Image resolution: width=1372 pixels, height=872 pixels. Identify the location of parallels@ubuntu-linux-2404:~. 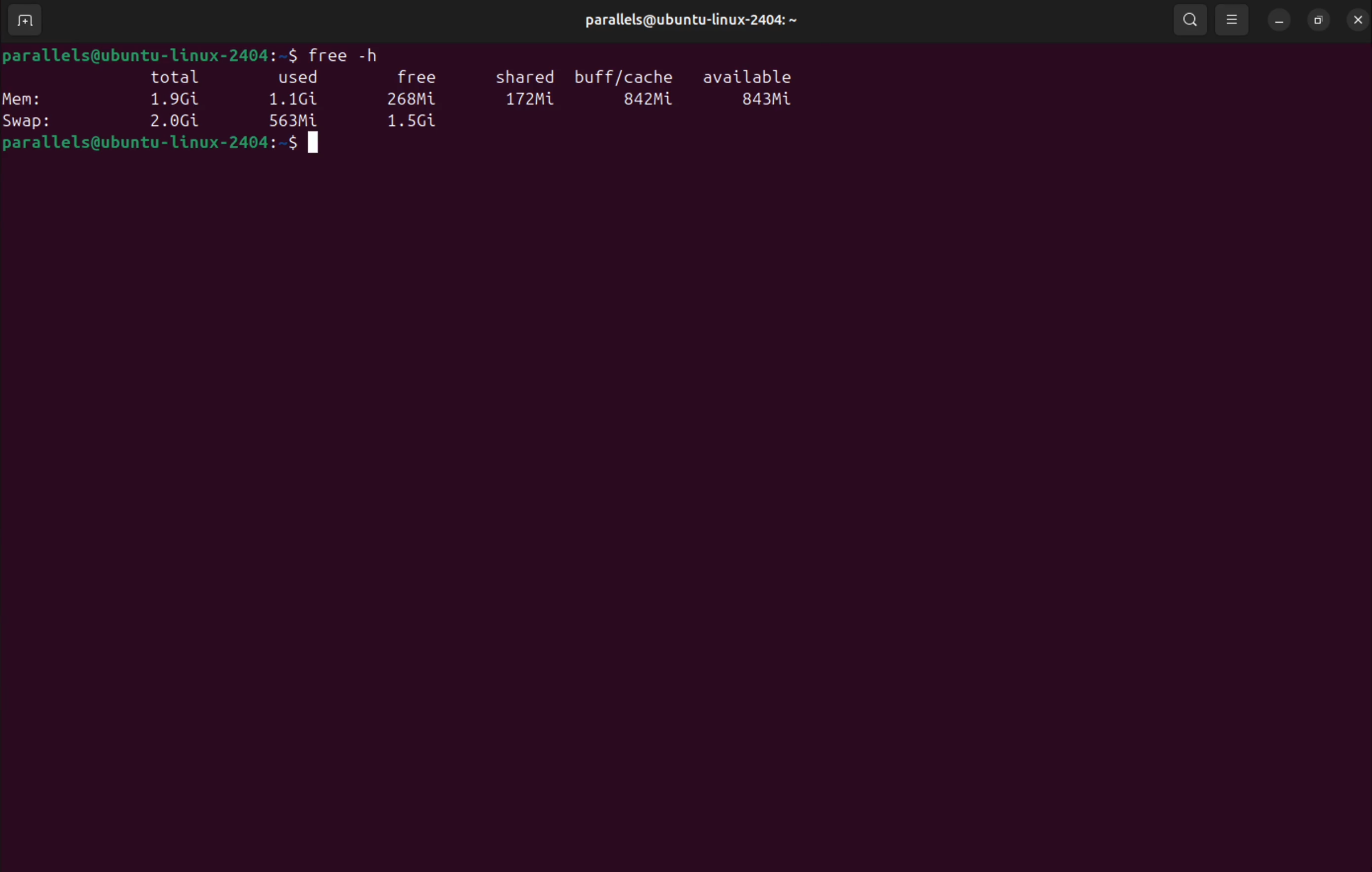
(689, 20).